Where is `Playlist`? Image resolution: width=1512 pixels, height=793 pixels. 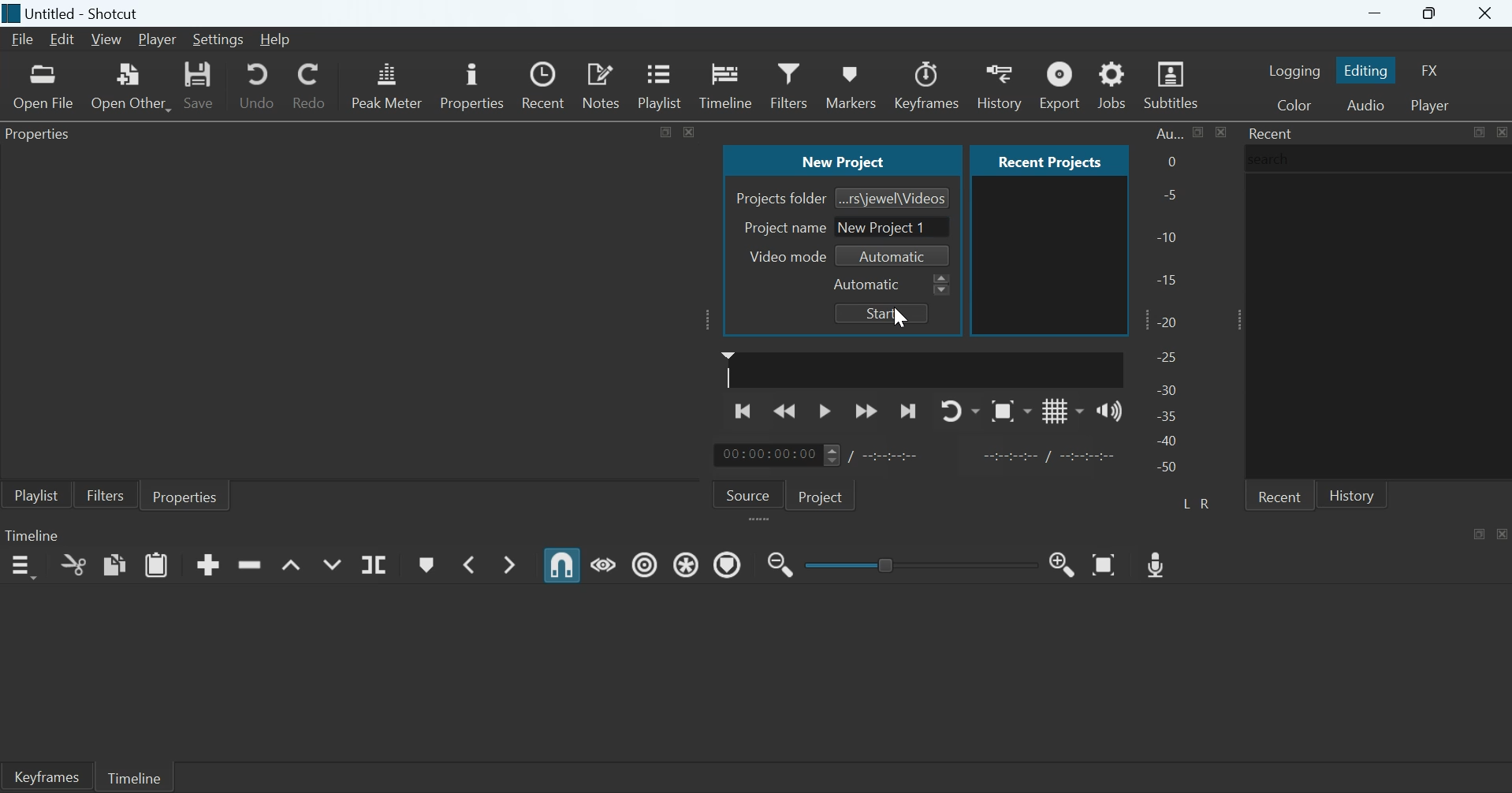
Playlist is located at coordinates (36, 494).